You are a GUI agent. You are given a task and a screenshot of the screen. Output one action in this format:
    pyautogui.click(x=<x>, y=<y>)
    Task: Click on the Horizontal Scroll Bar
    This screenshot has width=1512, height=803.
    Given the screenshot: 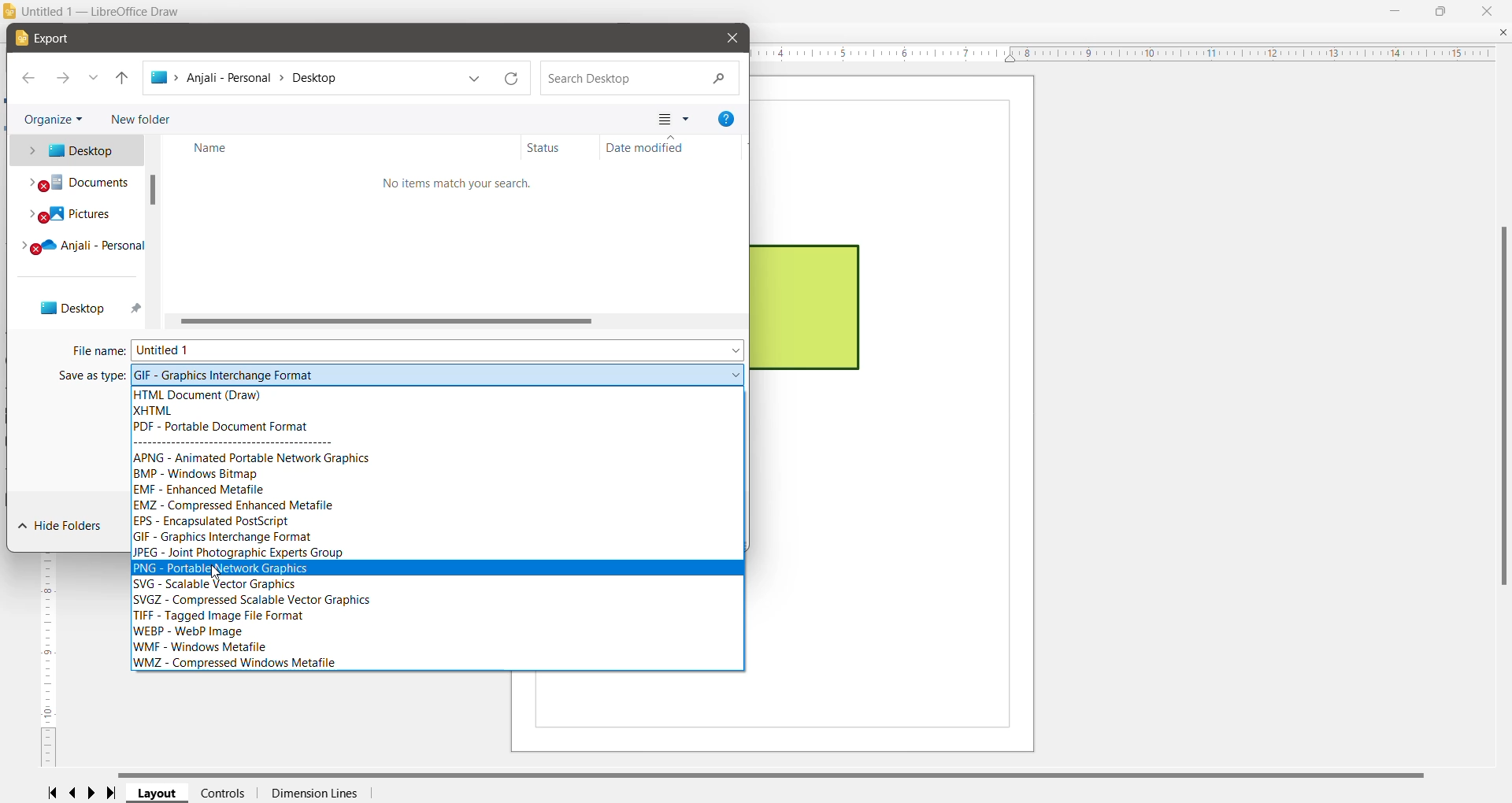 What is the action you would take?
    pyautogui.click(x=780, y=774)
    